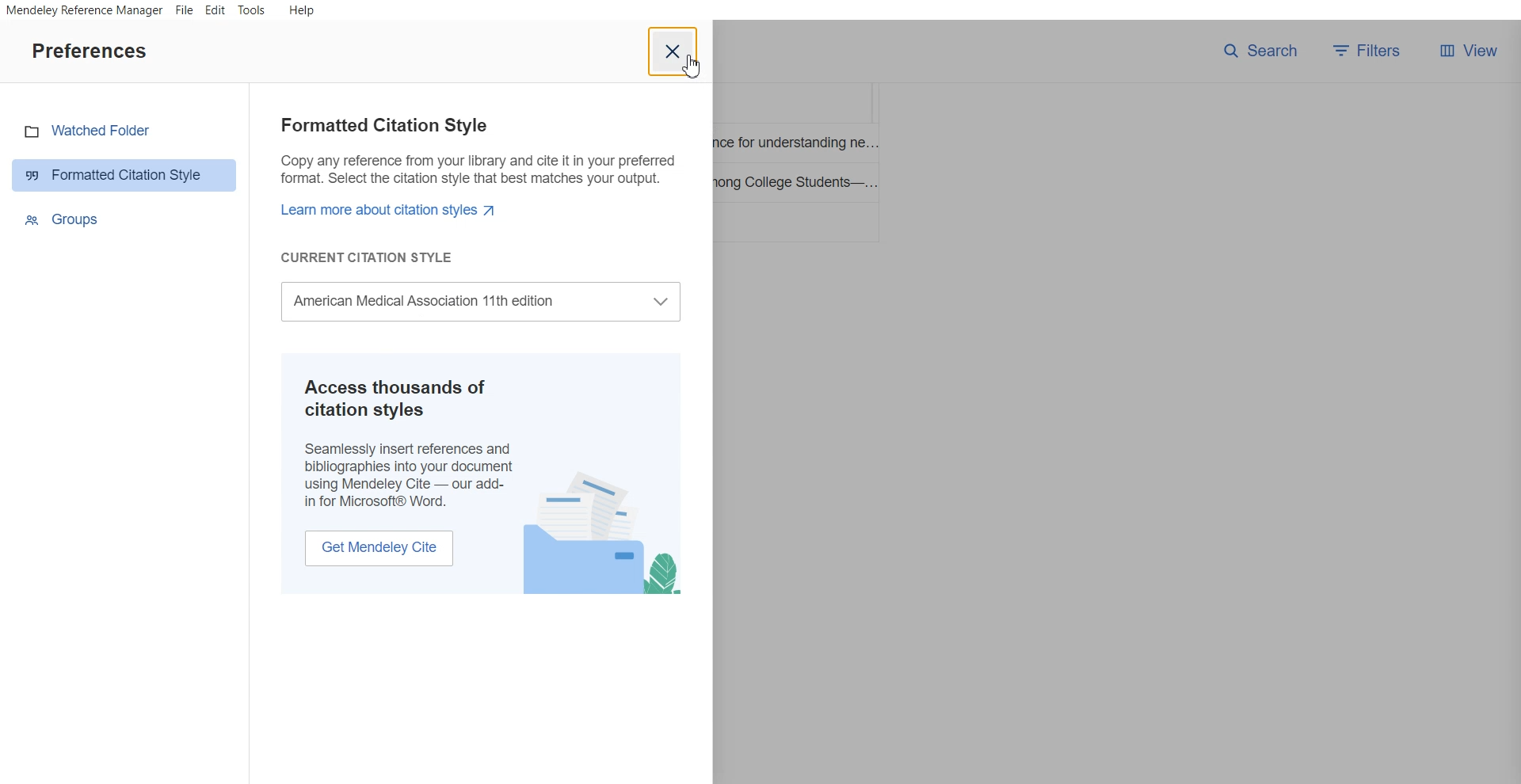 This screenshot has height=784, width=1521. I want to click on File, so click(185, 10).